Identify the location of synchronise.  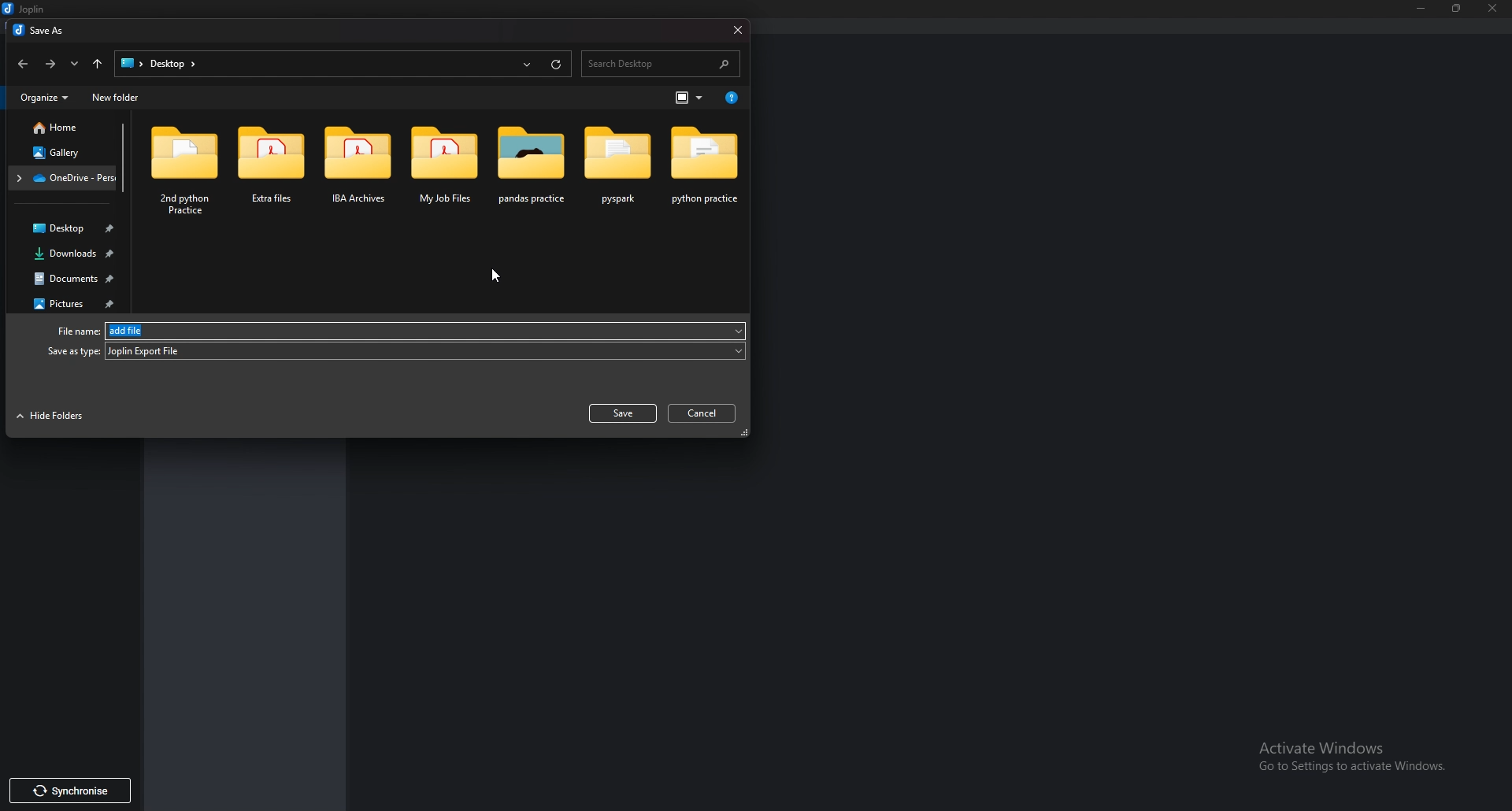
(74, 787).